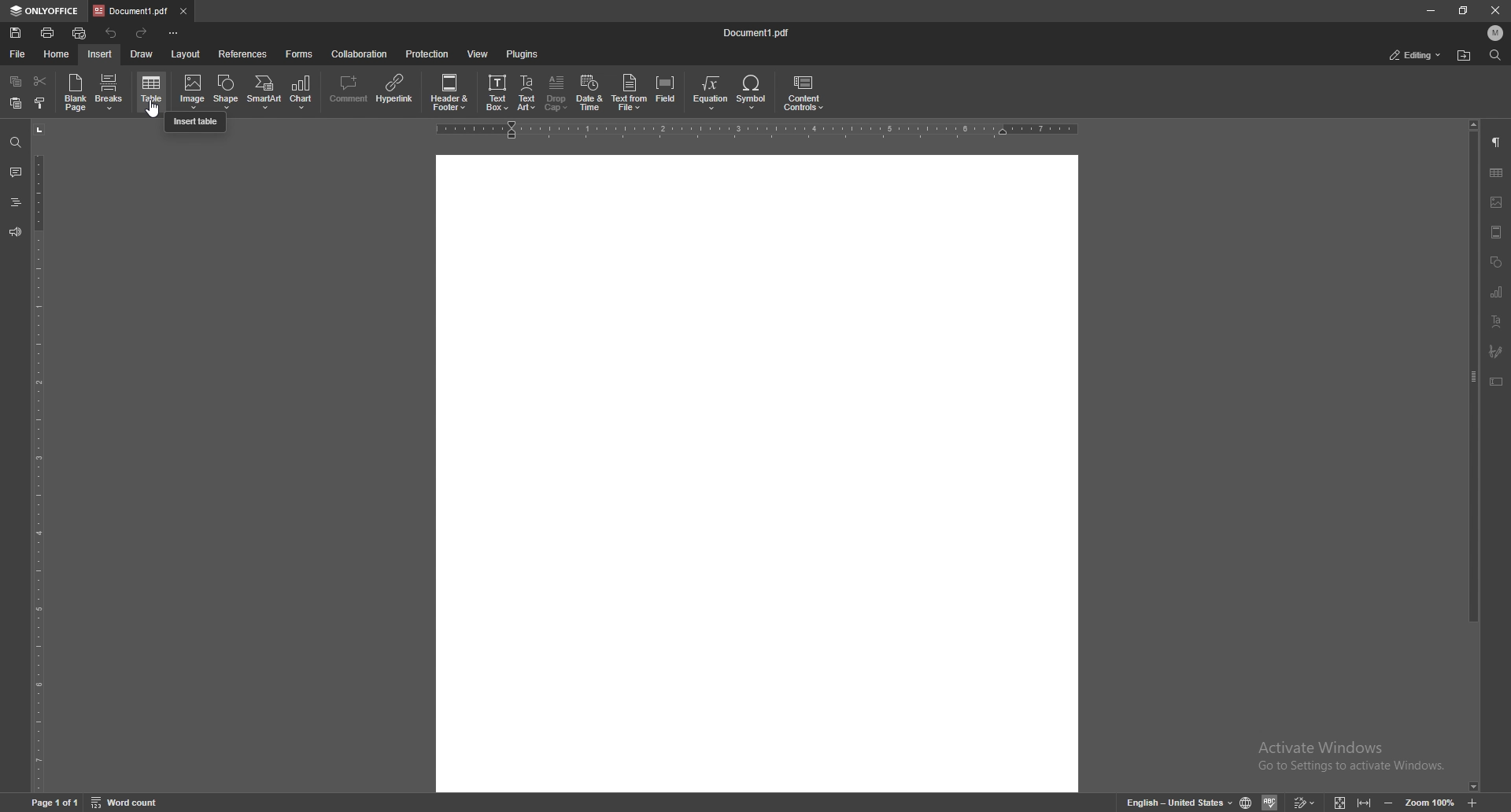  Describe the element at coordinates (15, 141) in the screenshot. I see `find` at that location.